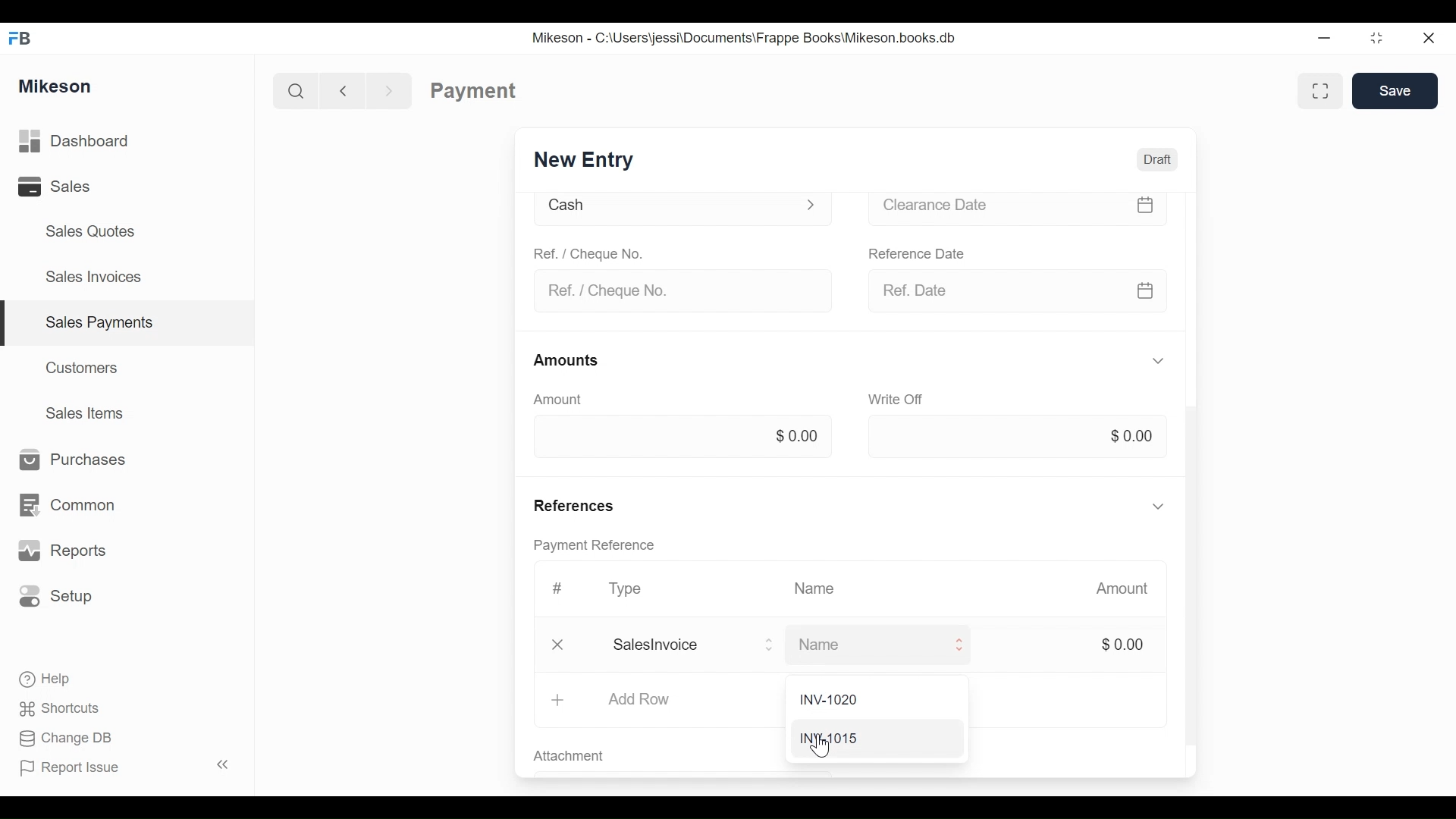 The height and width of the screenshot is (819, 1456). Describe the element at coordinates (691, 645) in the screenshot. I see `Salesinvoice` at that location.